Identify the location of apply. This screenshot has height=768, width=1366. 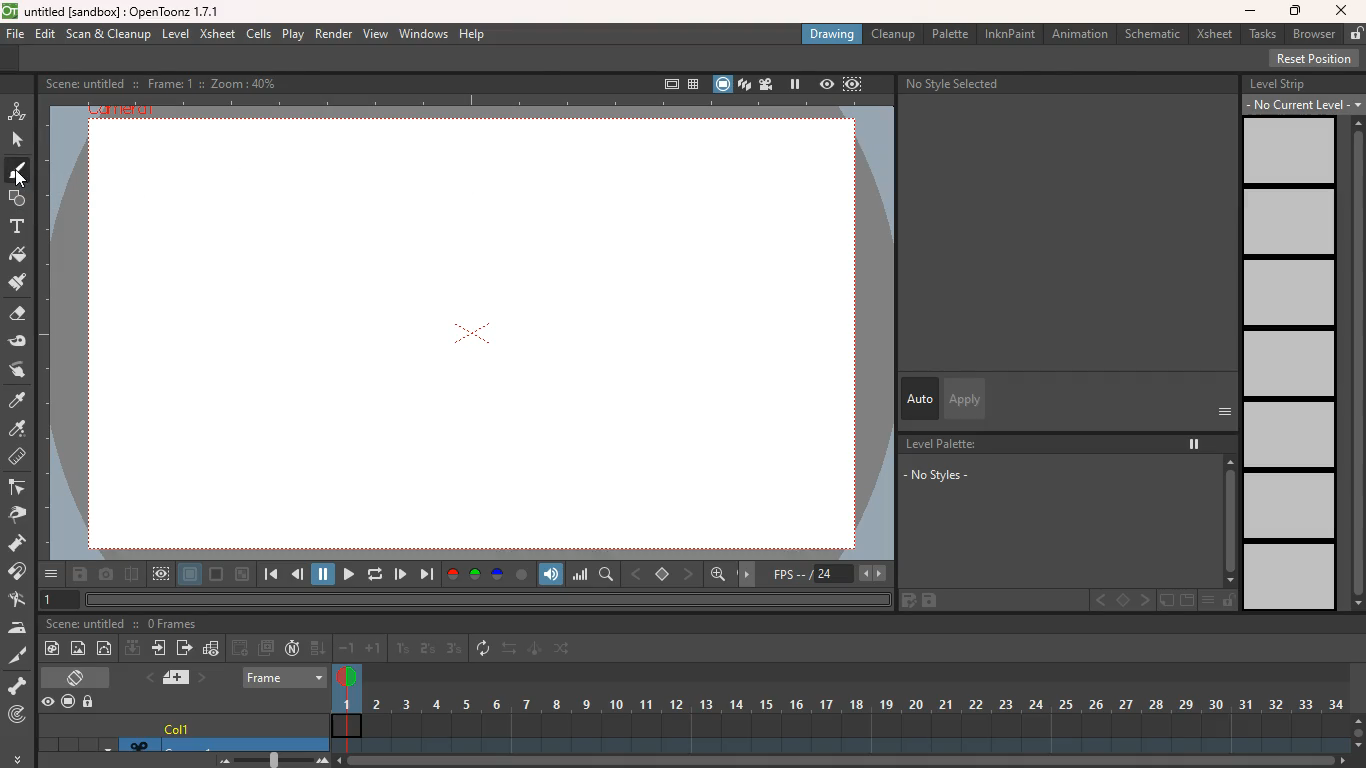
(963, 398).